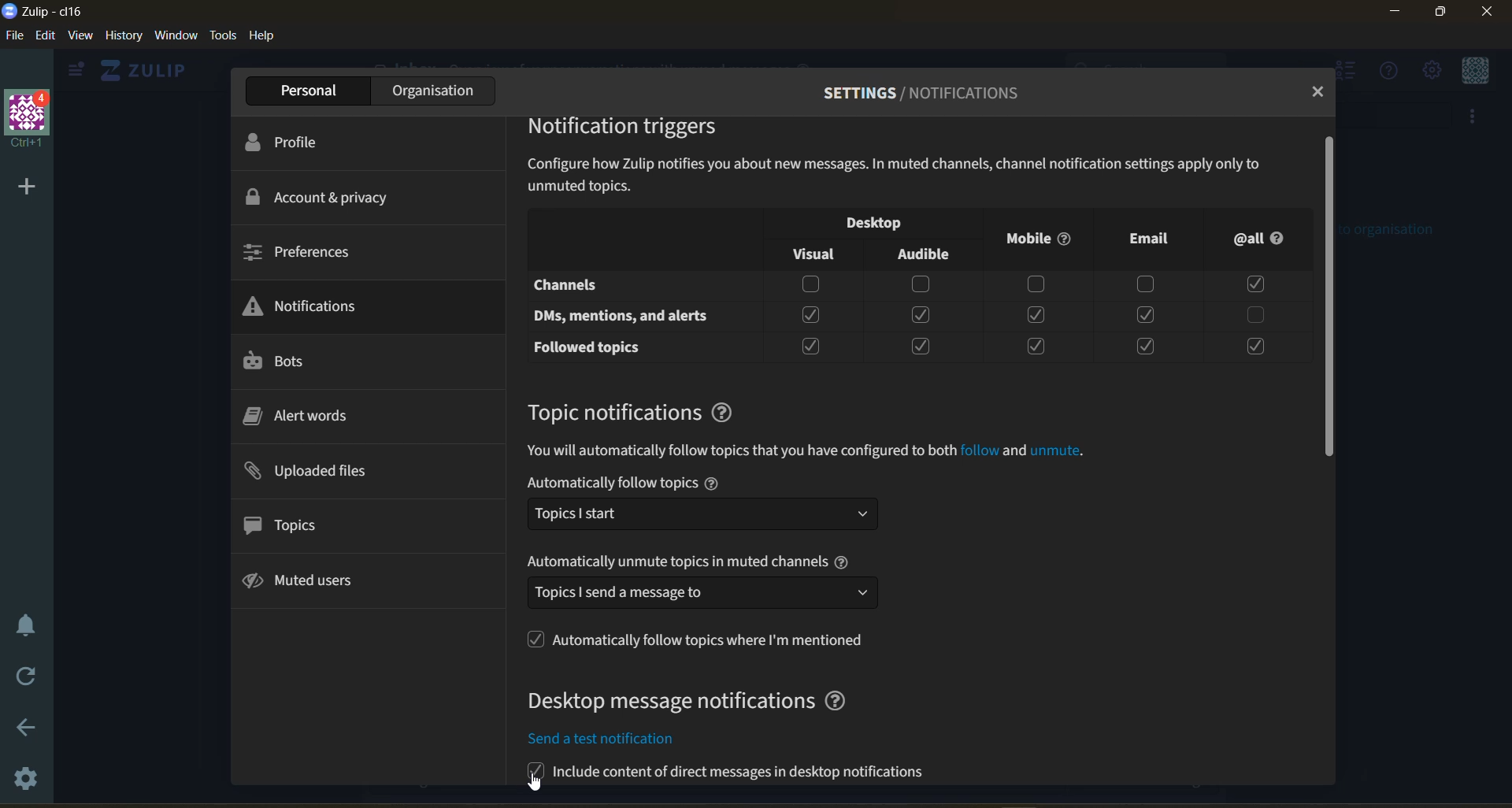  What do you see at coordinates (309, 304) in the screenshot?
I see `notifications` at bounding box center [309, 304].